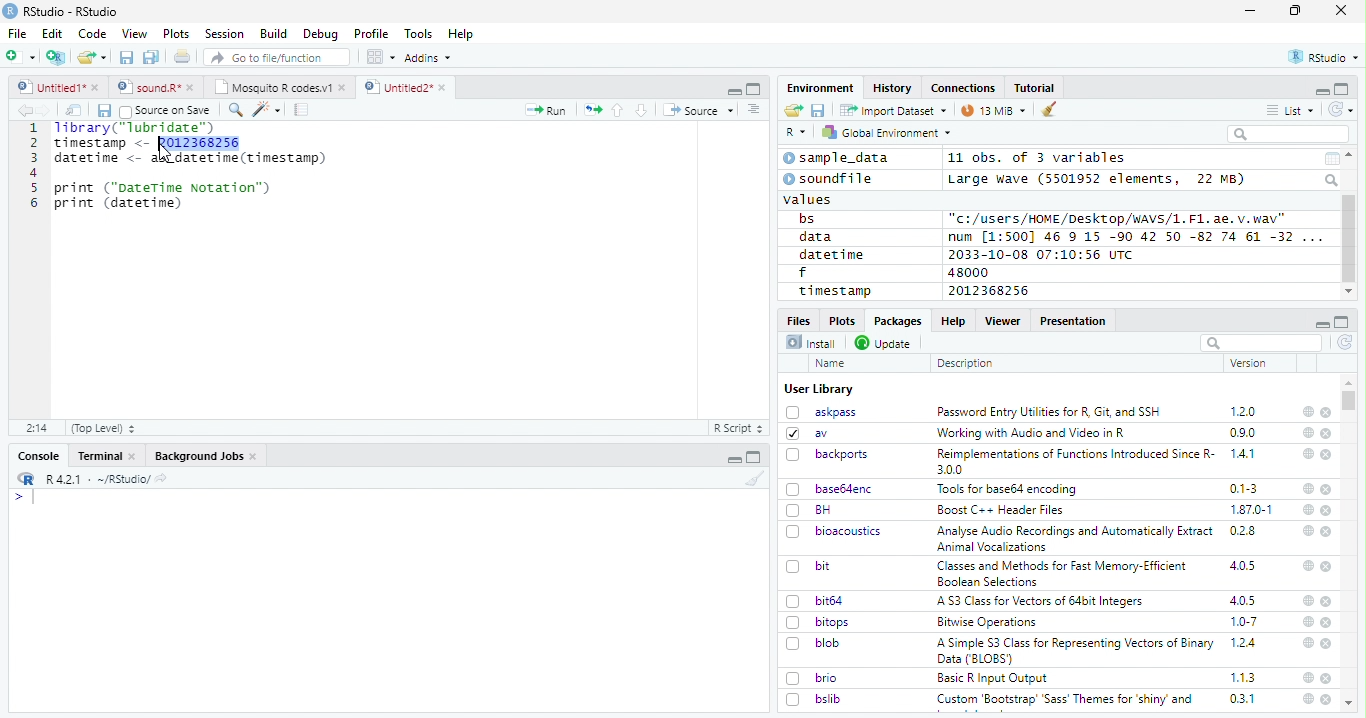  Describe the element at coordinates (223, 34) in the screenshot. I see `Session` at that location.